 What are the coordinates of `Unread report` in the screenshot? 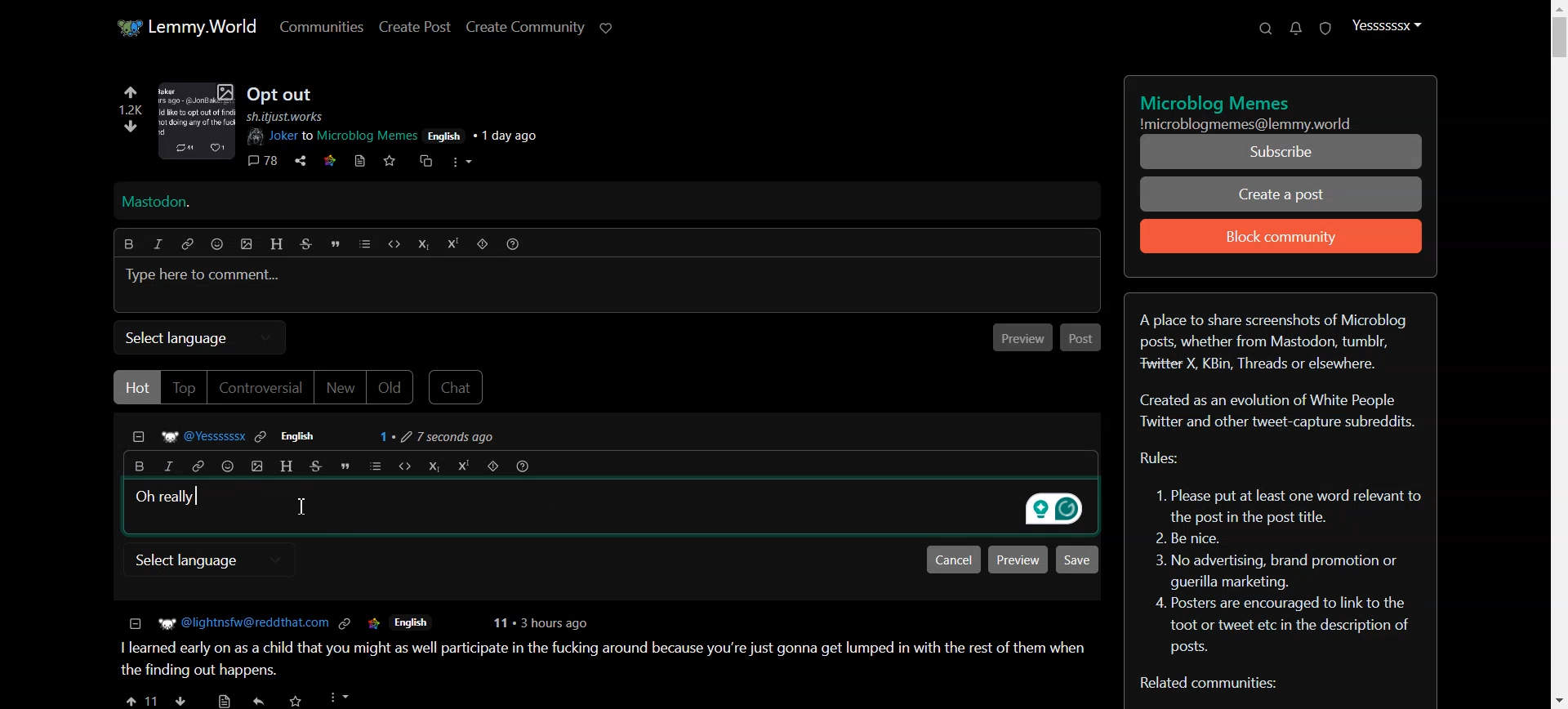 It's located at (1325, 29).